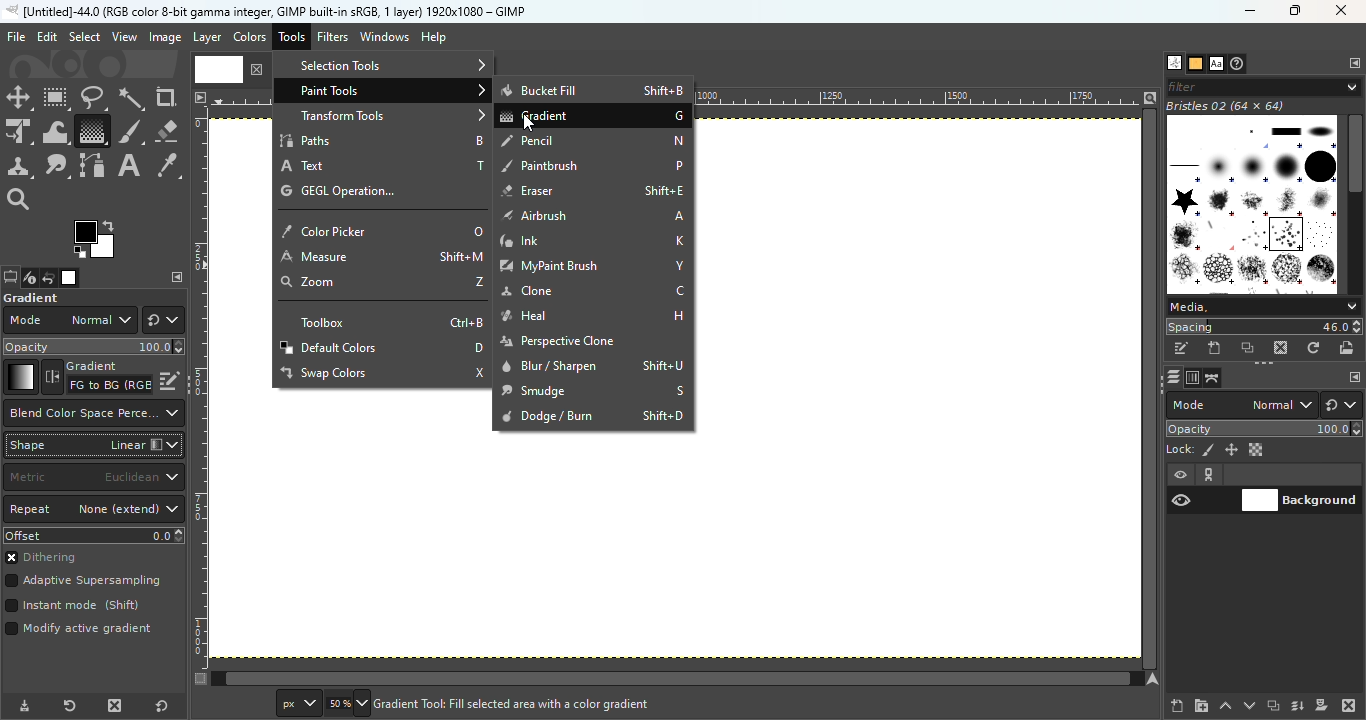  Describe the element at coordinates (380, 257) in the screenshot. I see `Measure` at that location.